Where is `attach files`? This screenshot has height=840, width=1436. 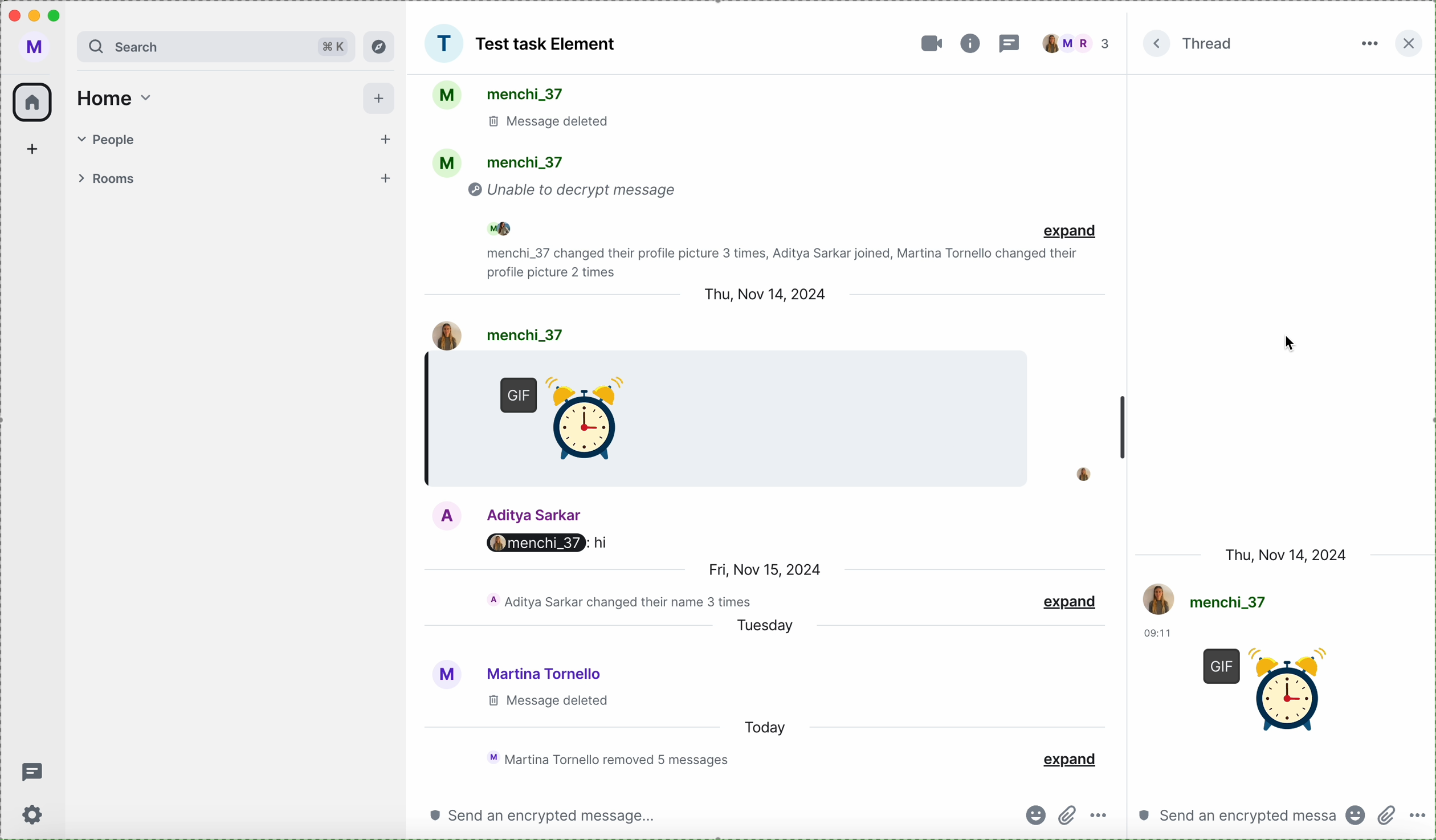 attach files is located at coordinates (1067, 813).